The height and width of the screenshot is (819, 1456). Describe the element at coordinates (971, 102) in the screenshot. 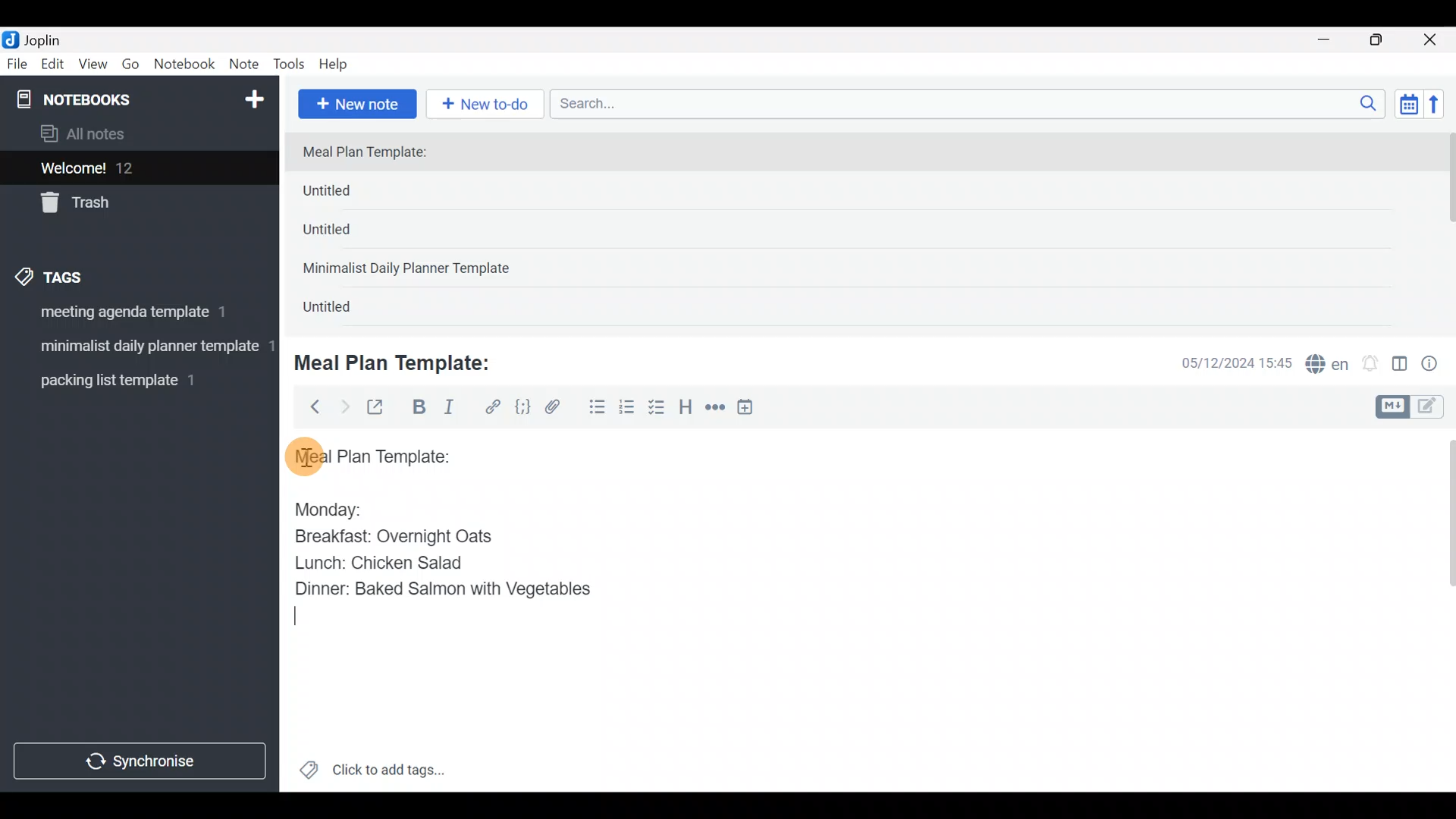

I see `Search bar` at that location.